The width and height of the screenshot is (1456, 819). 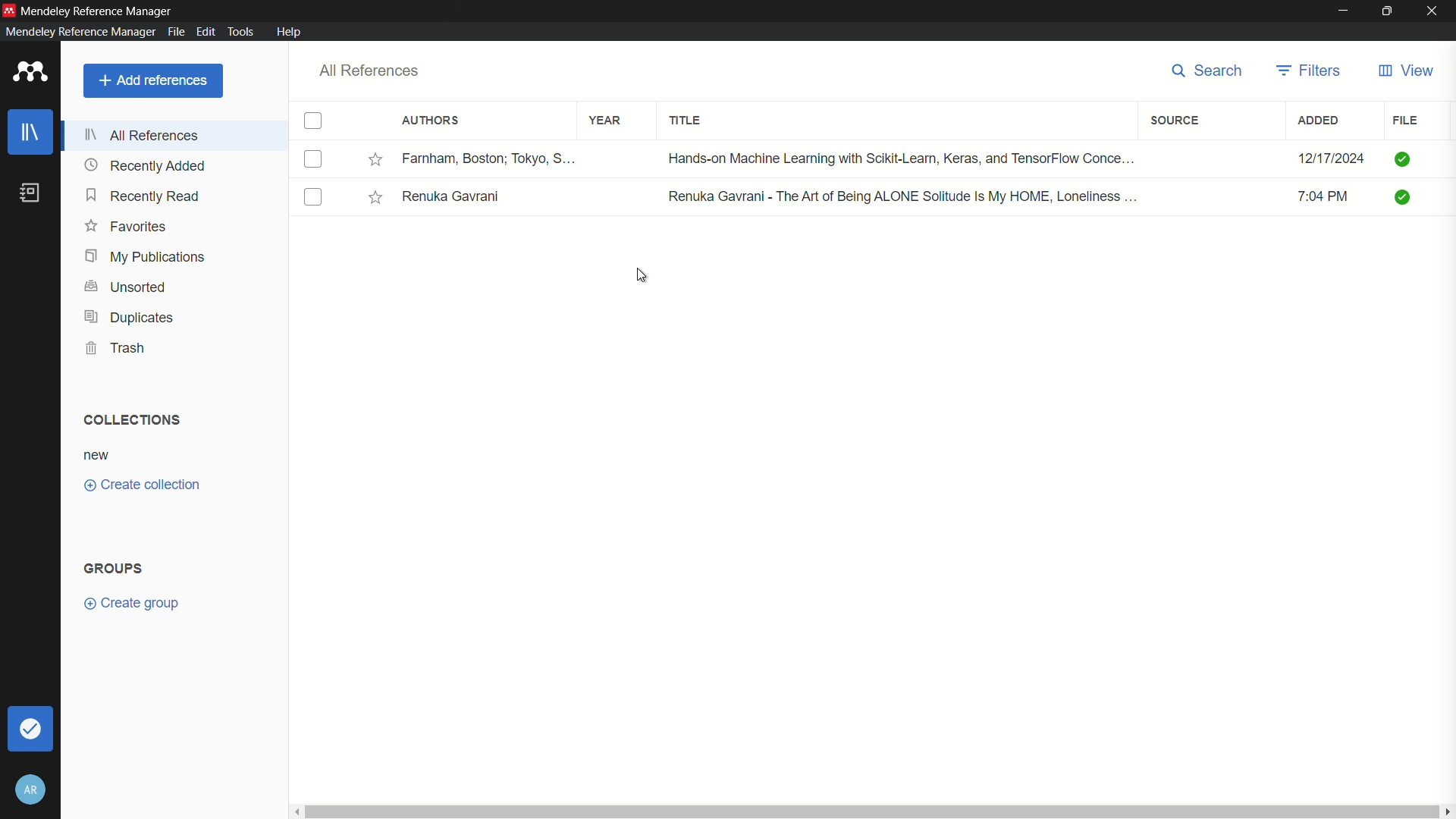 I want to click on authors, so click(x=431, y=121).